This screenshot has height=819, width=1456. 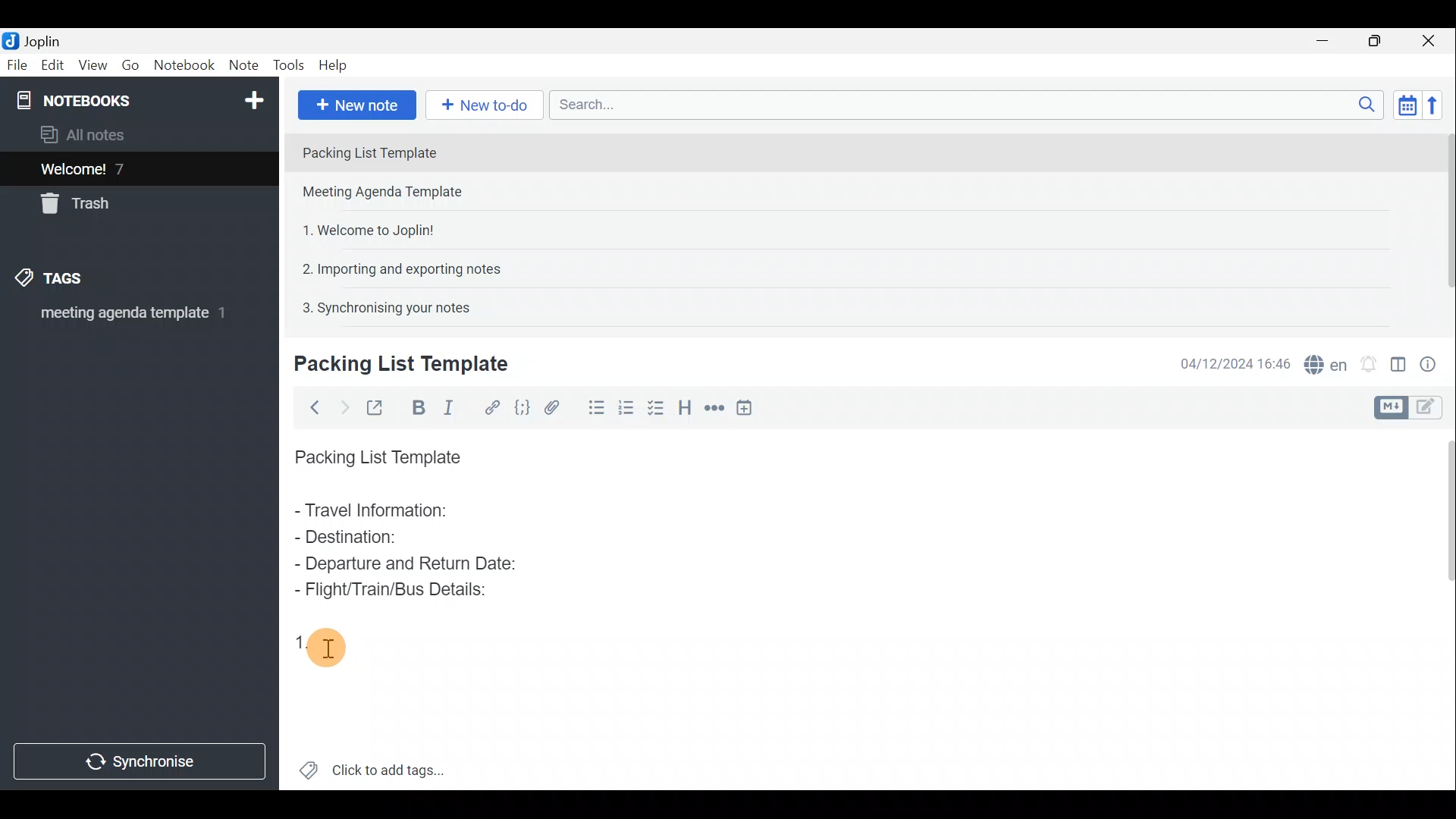 I want to click on Toggle editor layout, so click(x=1398, y=359).